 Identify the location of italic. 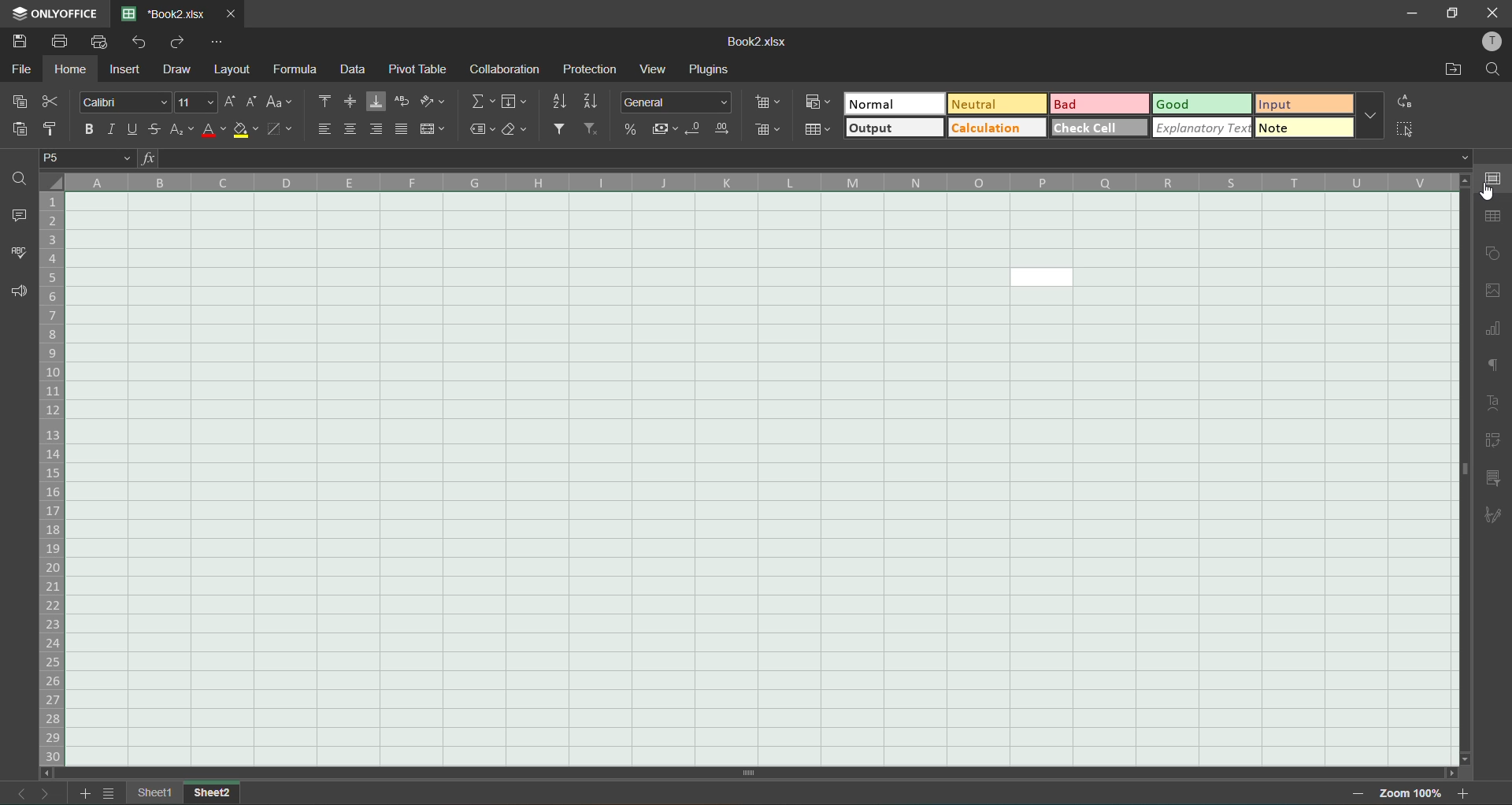
(110, 128).